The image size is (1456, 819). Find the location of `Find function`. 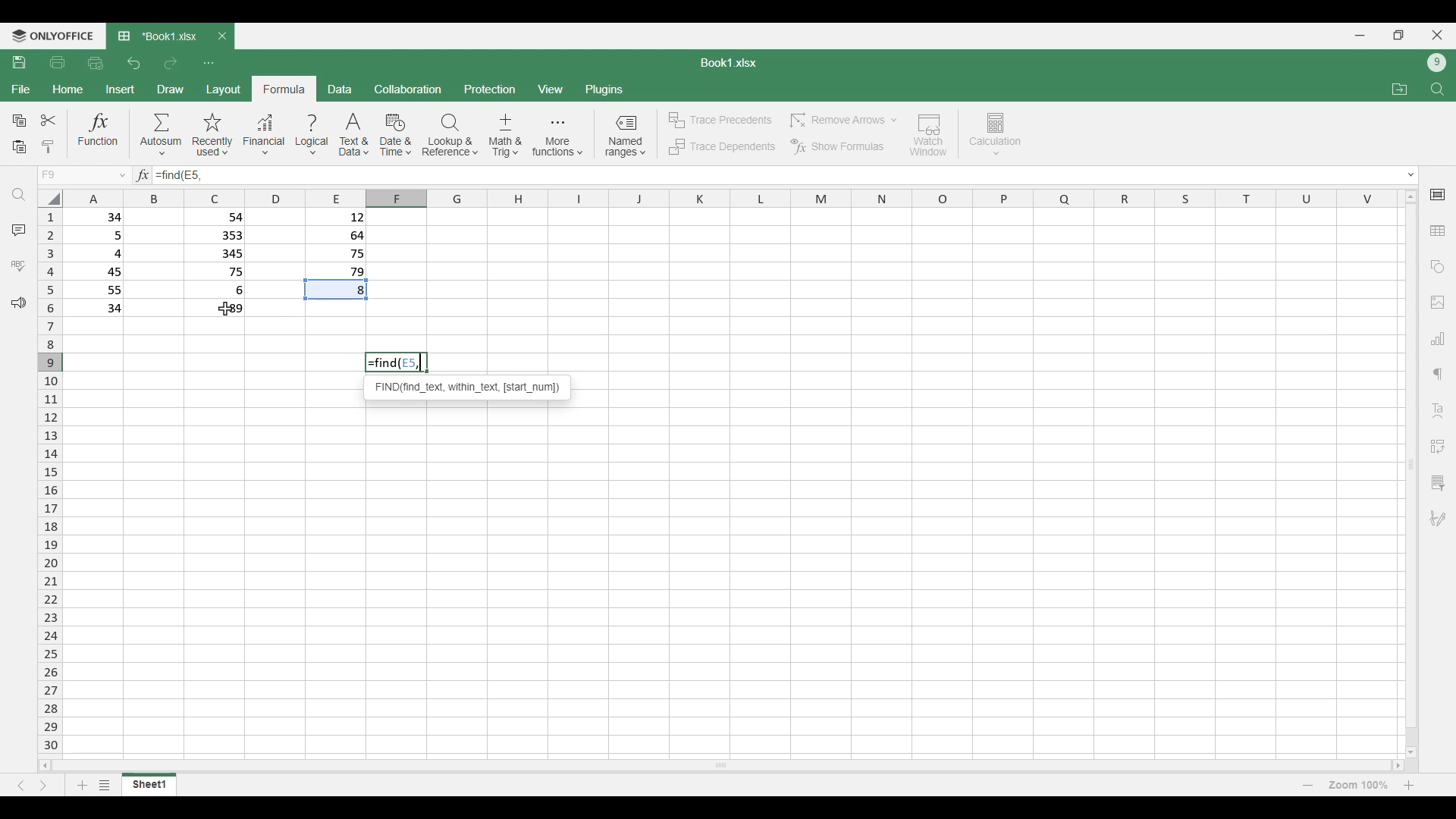

Find function is located at coordinates (382, 362).